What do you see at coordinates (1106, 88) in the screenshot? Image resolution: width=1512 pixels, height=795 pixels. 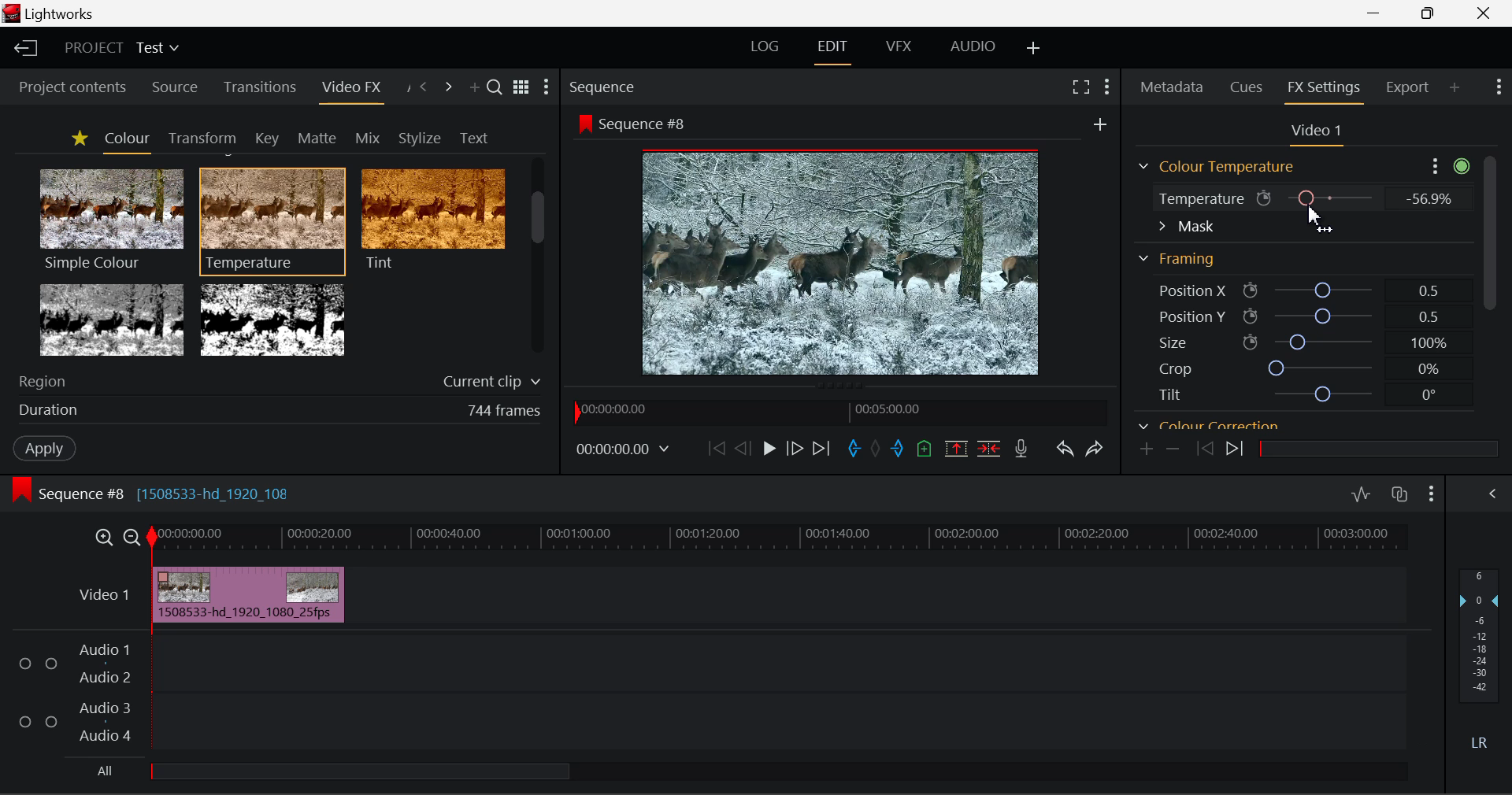 I see `Show Settings` at bounding box center [1106, 88].